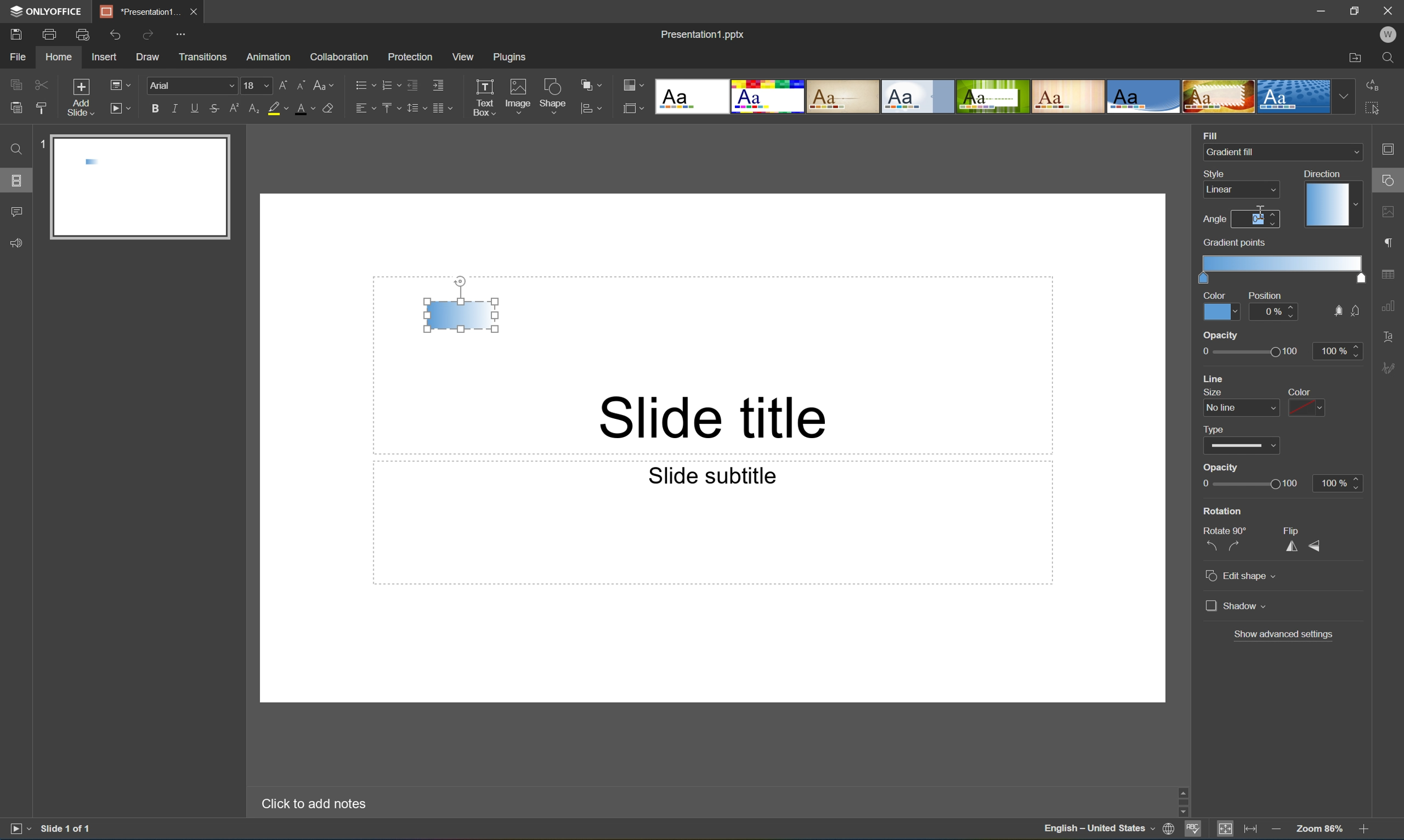 The height and width of the screenshot is (840, 1404). Describe the element at coordinates (633, 86) in the screenshot. I see `Change color theme` at that location.